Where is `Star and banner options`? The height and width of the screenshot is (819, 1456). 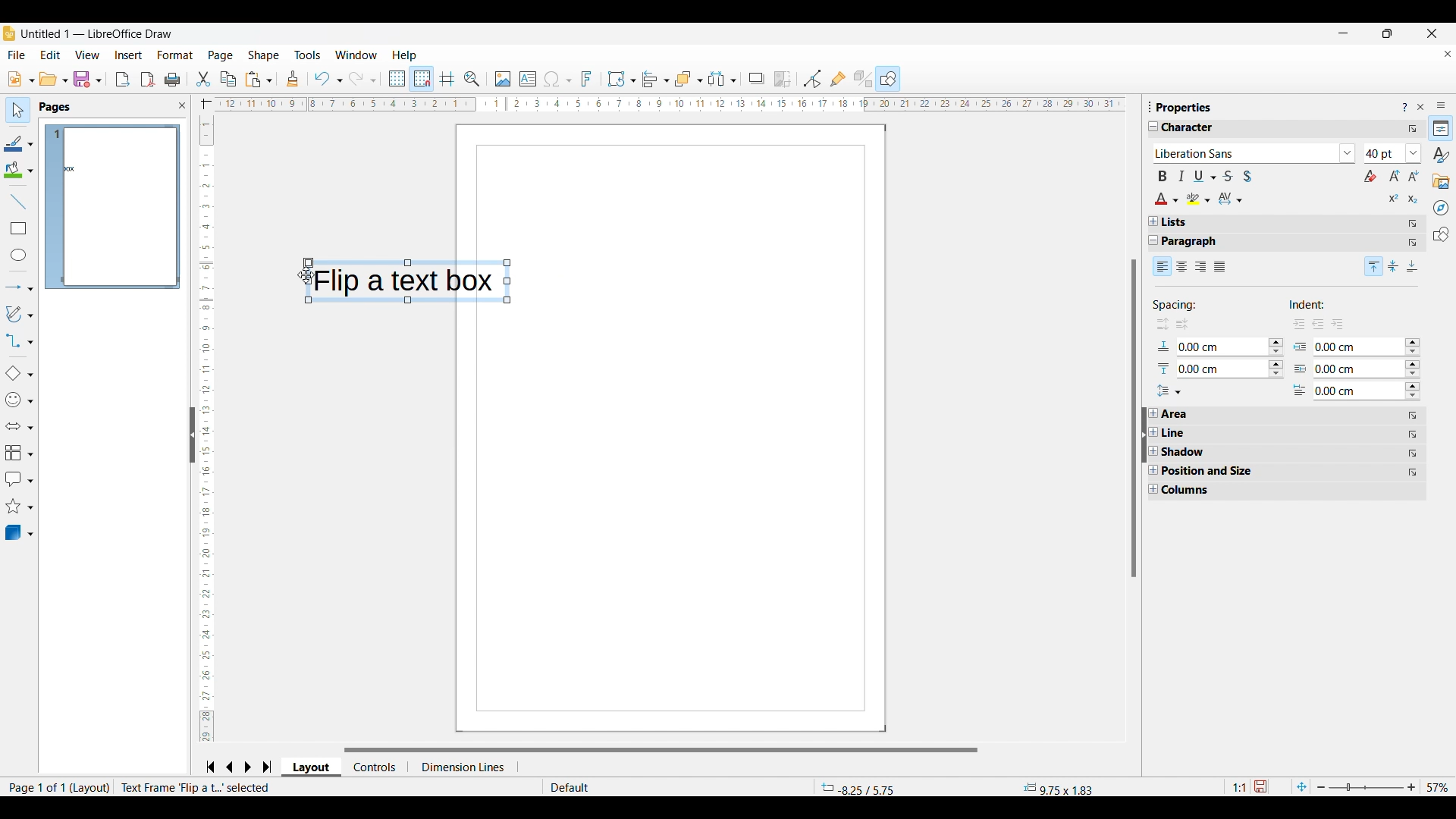 Star and banner options is located at coordinates (19, 507).